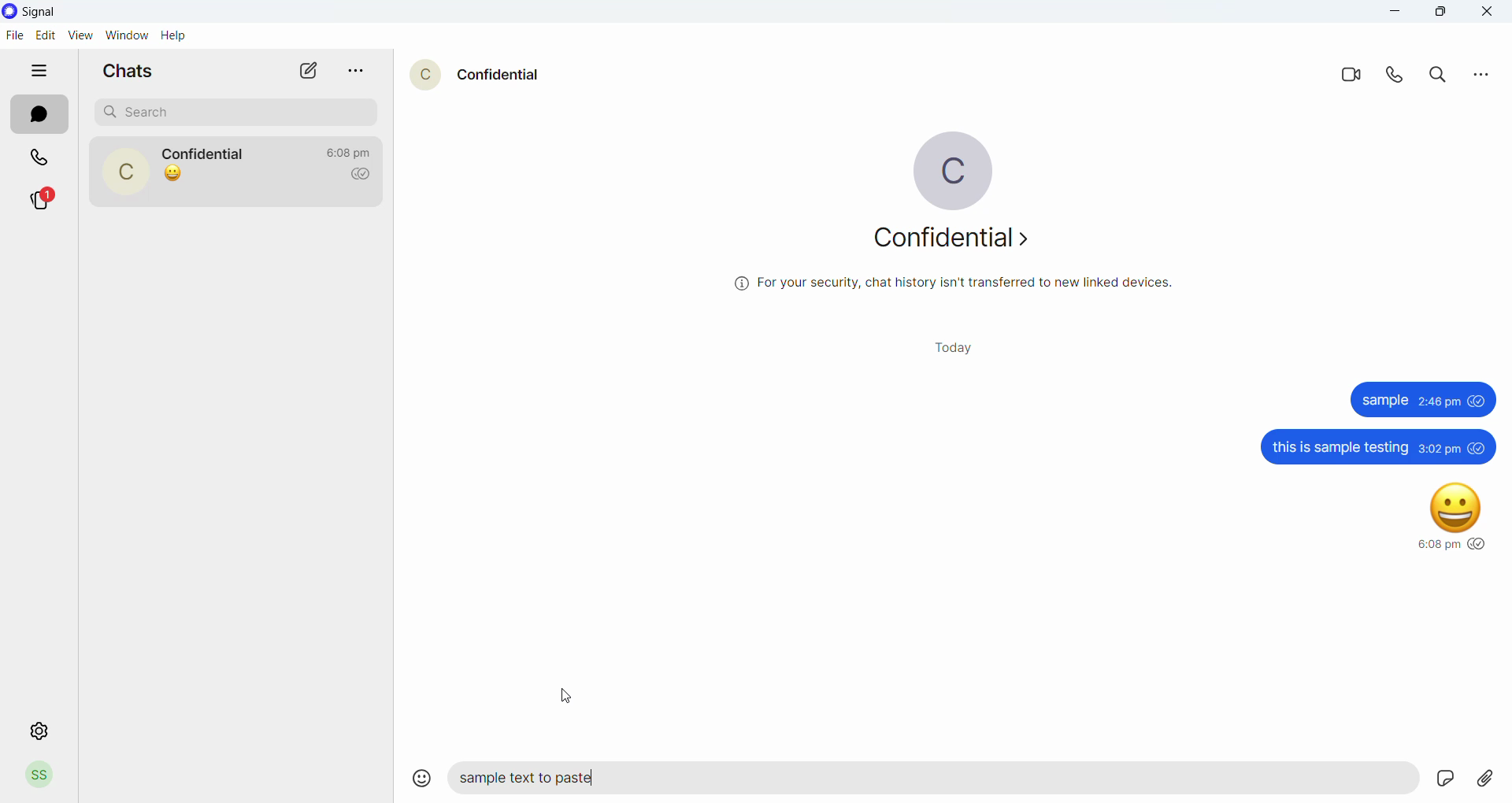 This screenshot has height=803, width=1512. Describe the element at coordinates (41, 71) in the screenshot. I see `hide` at that location.